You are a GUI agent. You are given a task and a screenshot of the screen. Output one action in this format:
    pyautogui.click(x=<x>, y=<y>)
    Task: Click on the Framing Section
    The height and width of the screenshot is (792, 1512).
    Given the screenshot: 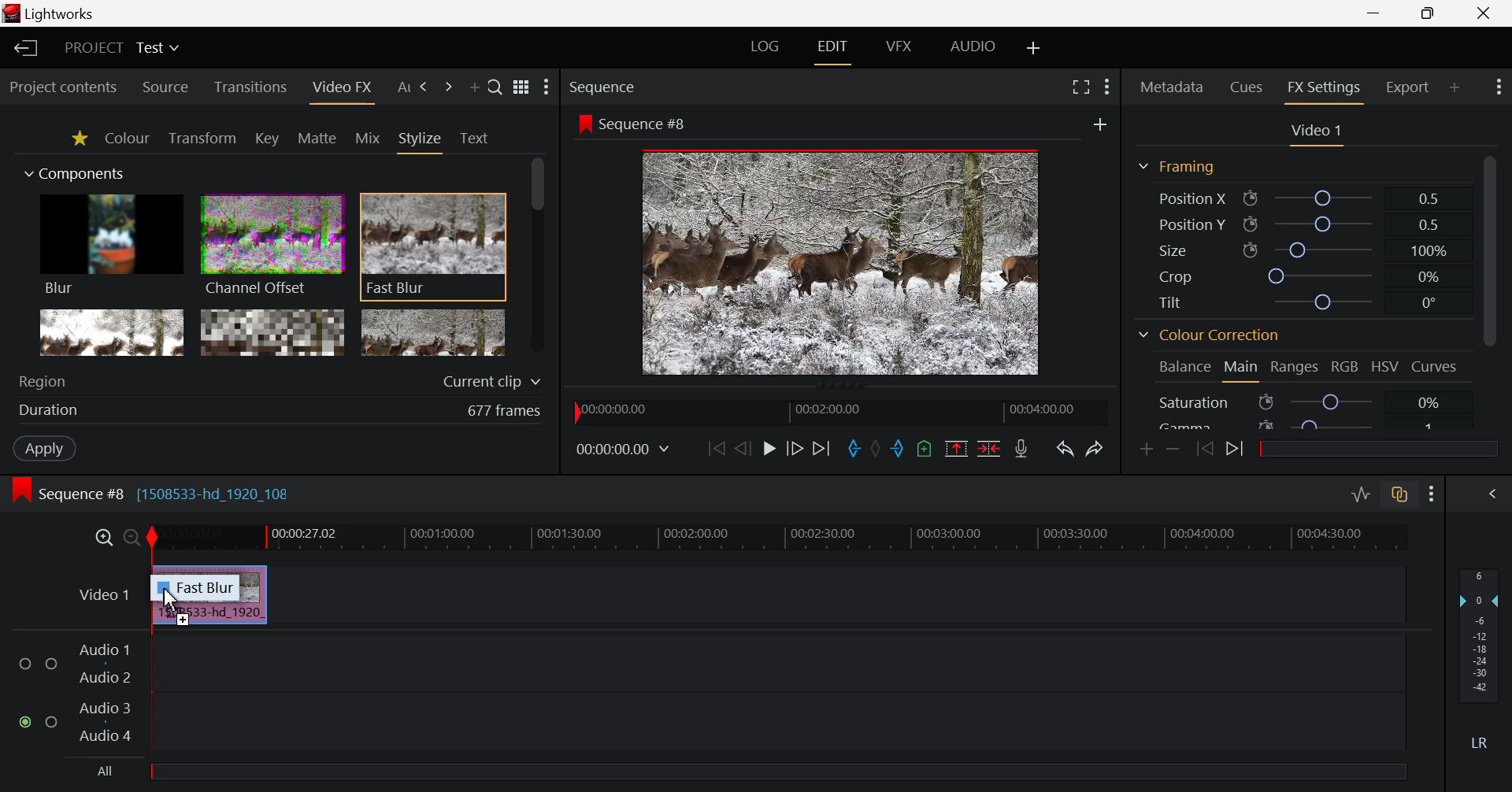 What is the action you would take?
    pyautogui.click(x=1178, y=165)
    